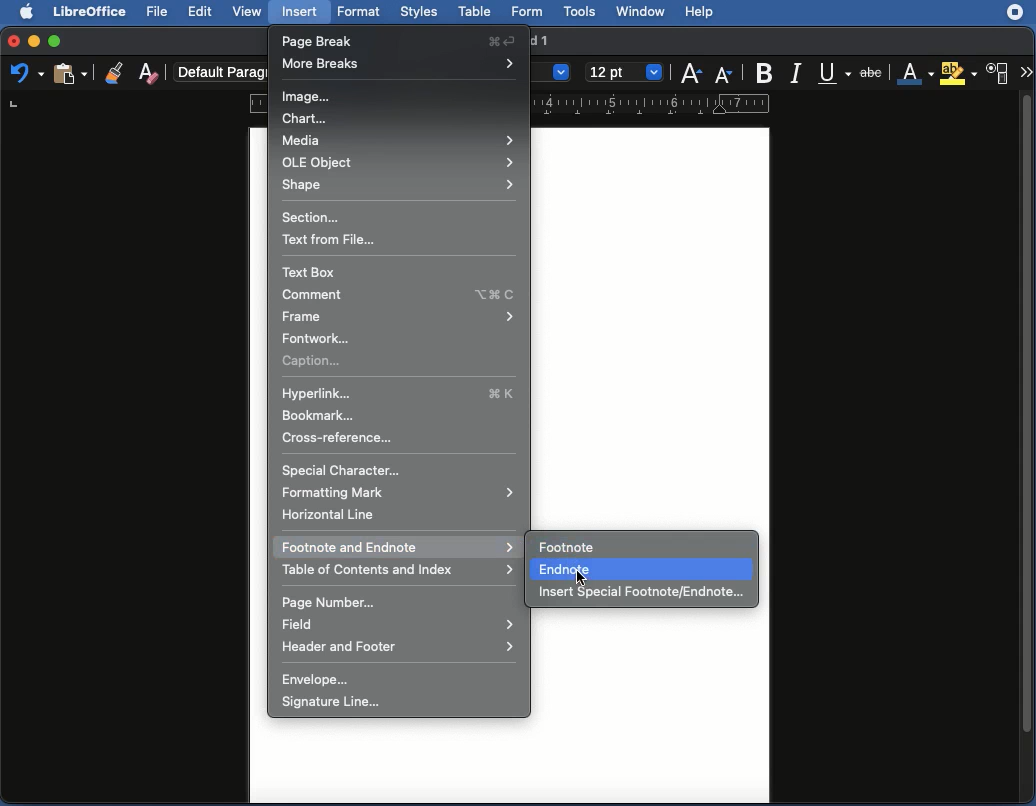 This screenshot has height=806, width=1036. I want to click on Text from file, so click(330, 239).